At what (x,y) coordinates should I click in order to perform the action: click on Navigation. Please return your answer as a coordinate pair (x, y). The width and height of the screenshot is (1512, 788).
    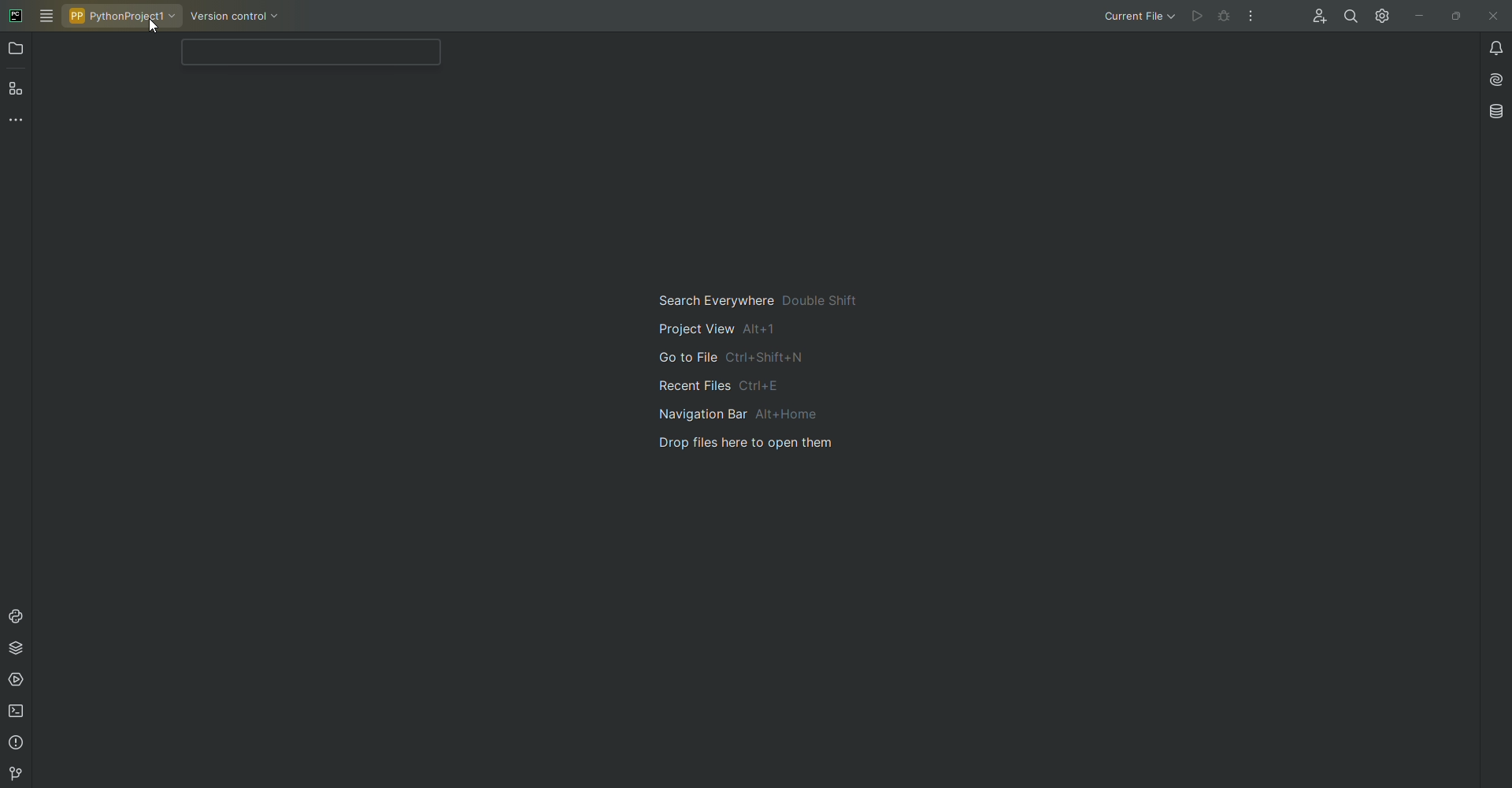
    Looking at the image, I should click on (769, 372).